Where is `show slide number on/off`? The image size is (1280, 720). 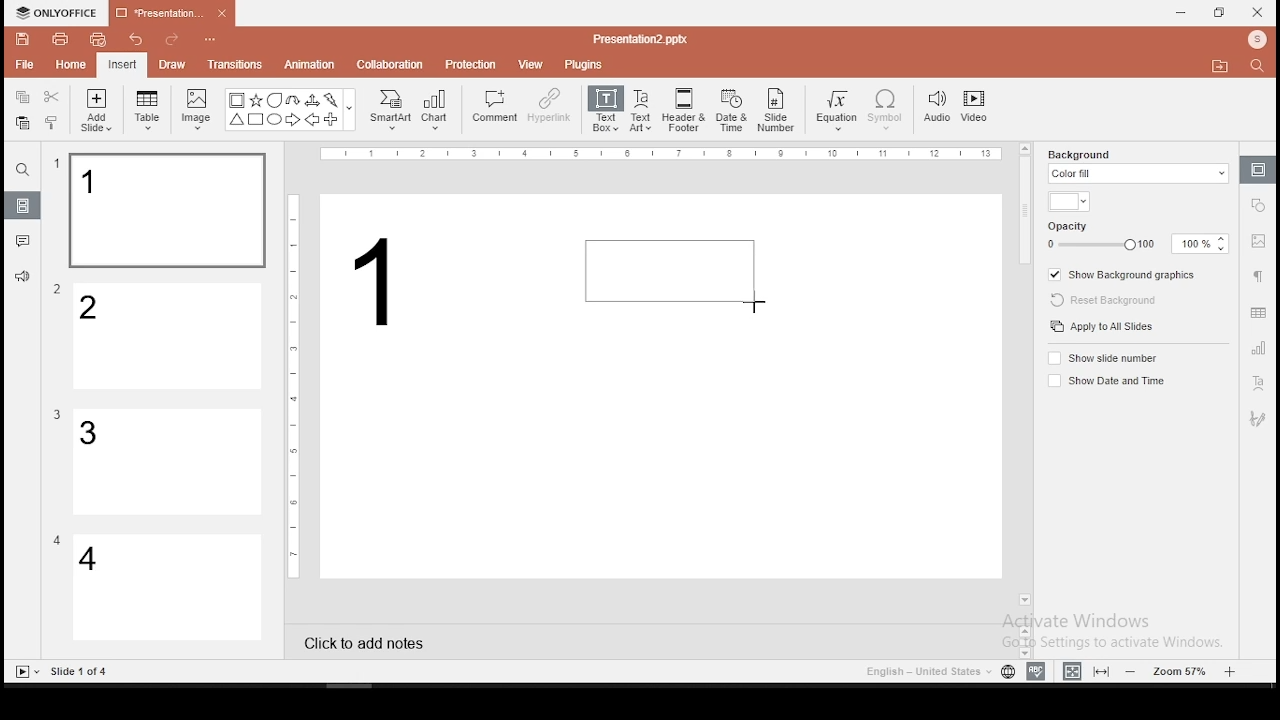
show slide number on/off is located at coordinates (1104, 357).